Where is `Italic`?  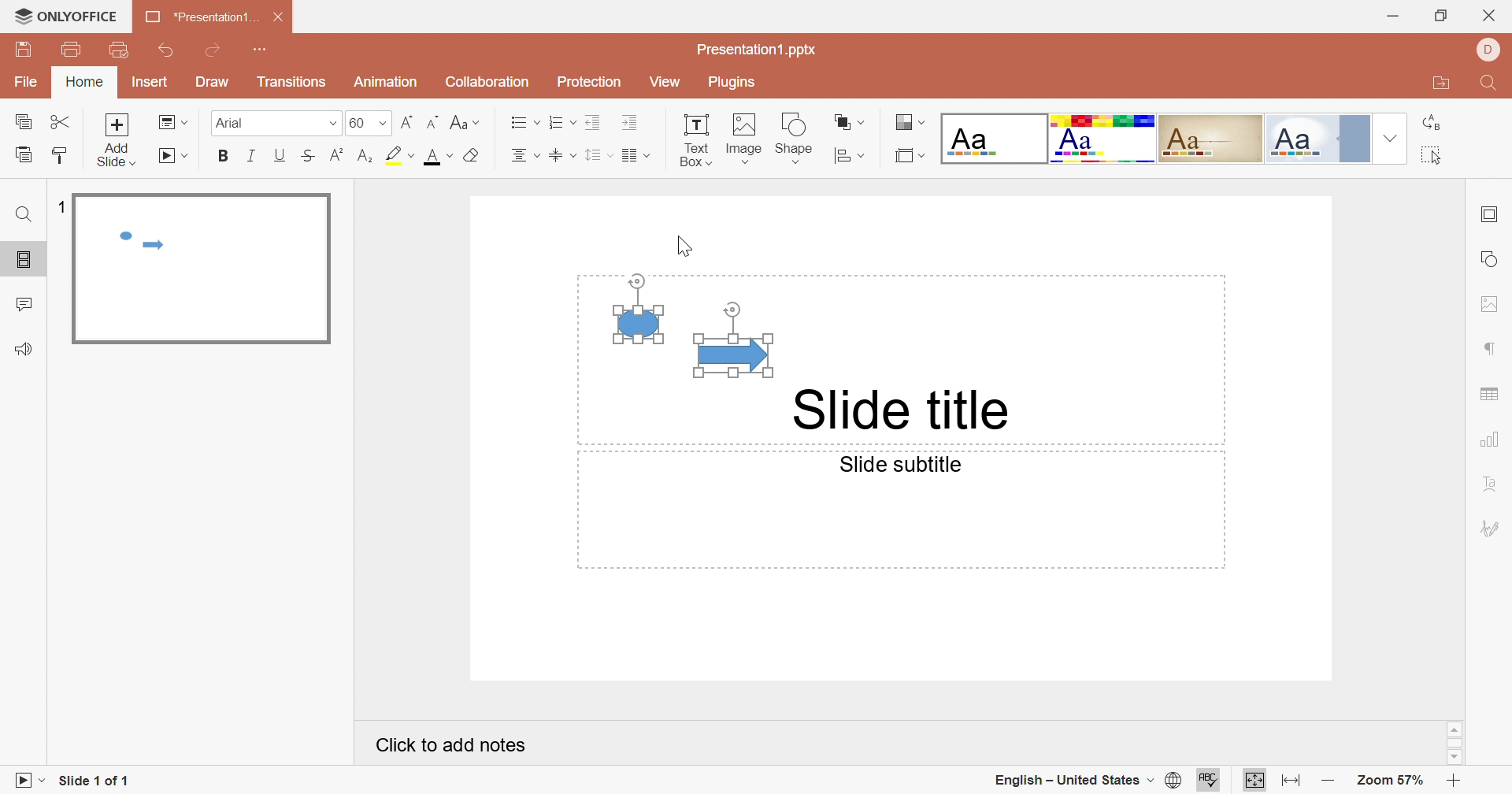 Italic is located at coordinates (250, 159).